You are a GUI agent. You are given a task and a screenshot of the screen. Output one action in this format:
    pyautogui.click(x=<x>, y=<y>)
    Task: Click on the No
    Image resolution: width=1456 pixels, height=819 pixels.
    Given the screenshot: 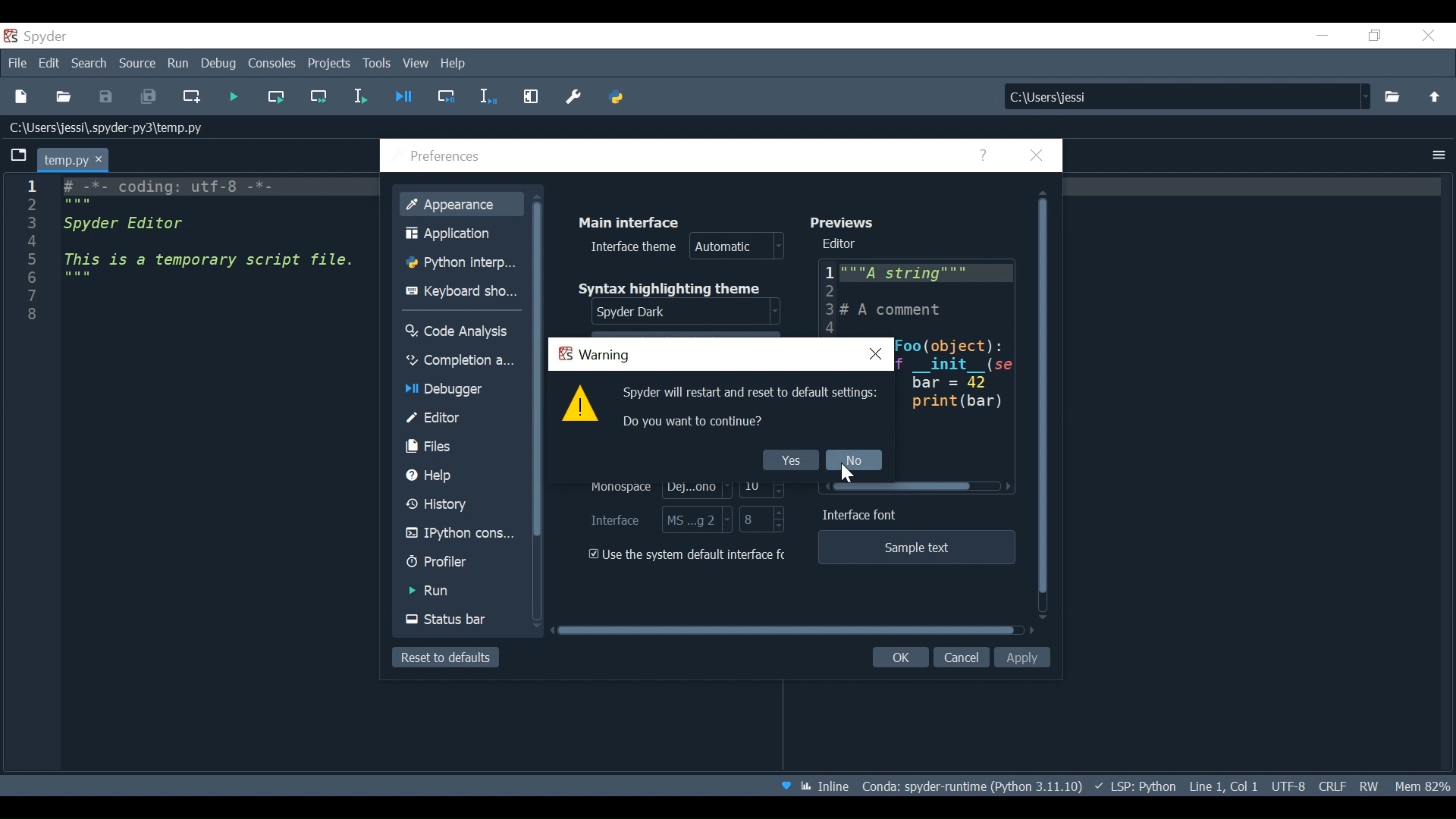 What is the action you would take?
    pyautogui.click(x=852, y=461)
    